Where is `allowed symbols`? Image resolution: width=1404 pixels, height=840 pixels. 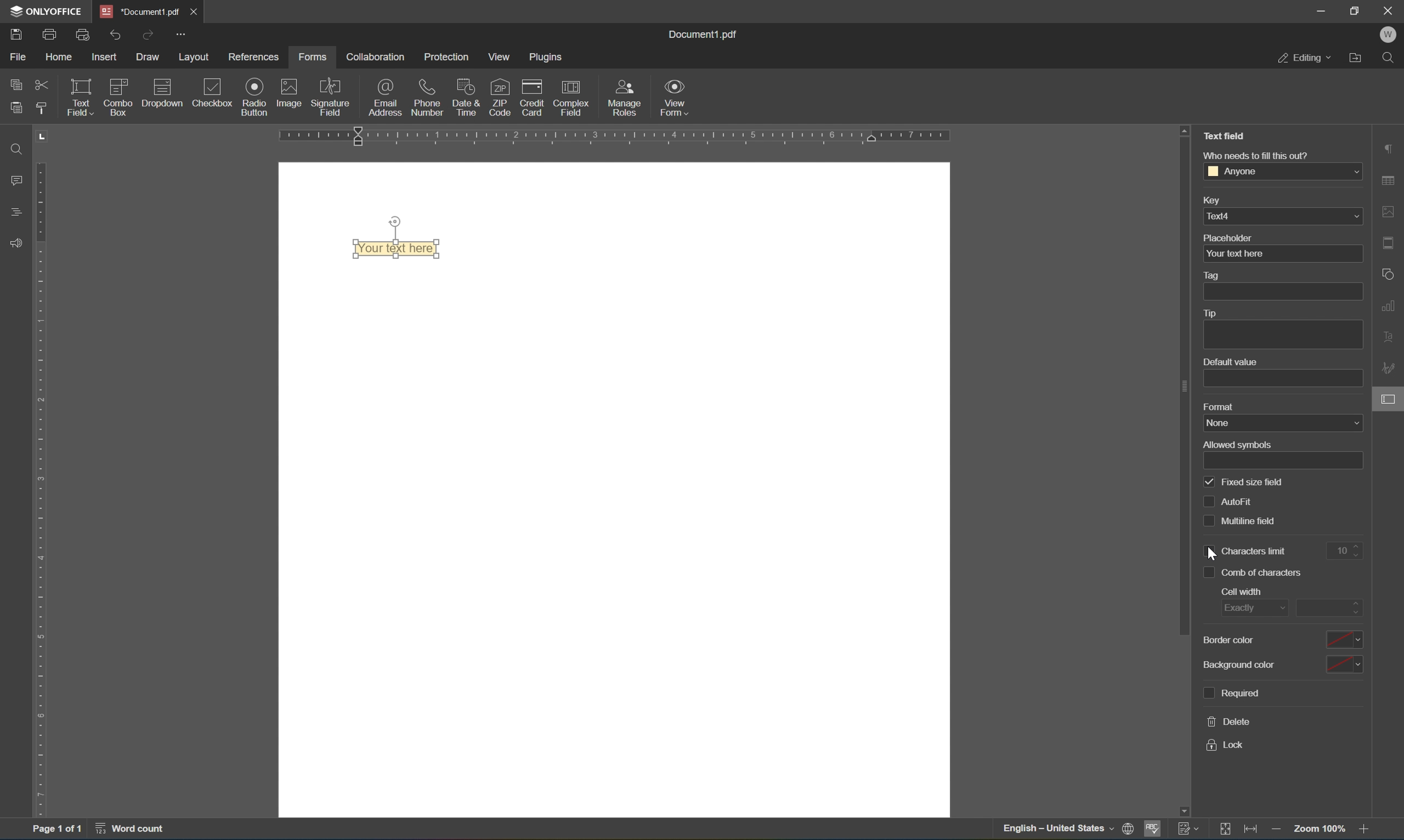 allowed symbols is located at coordinates (1237, 445).